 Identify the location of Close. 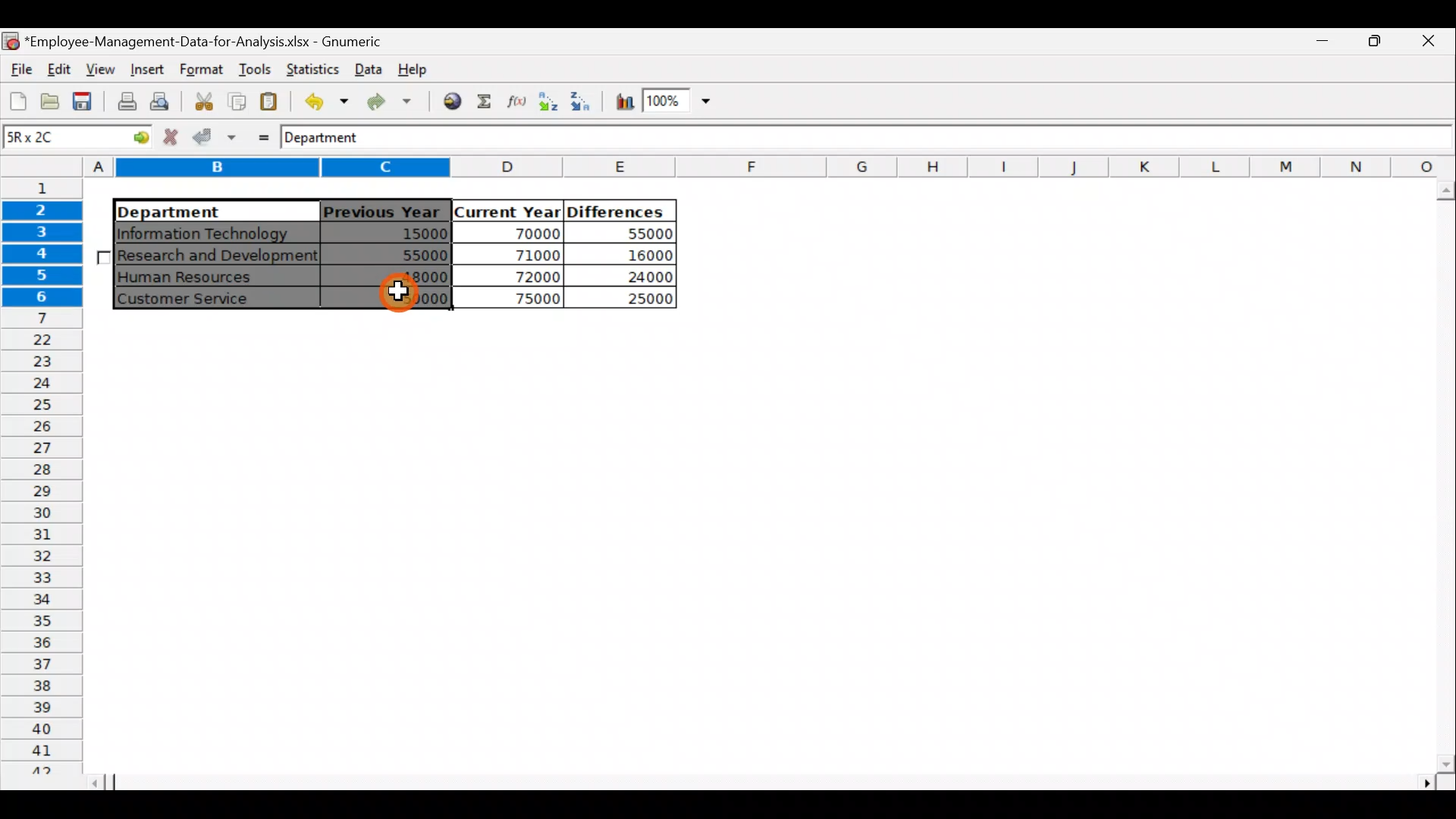
(1429, 43).